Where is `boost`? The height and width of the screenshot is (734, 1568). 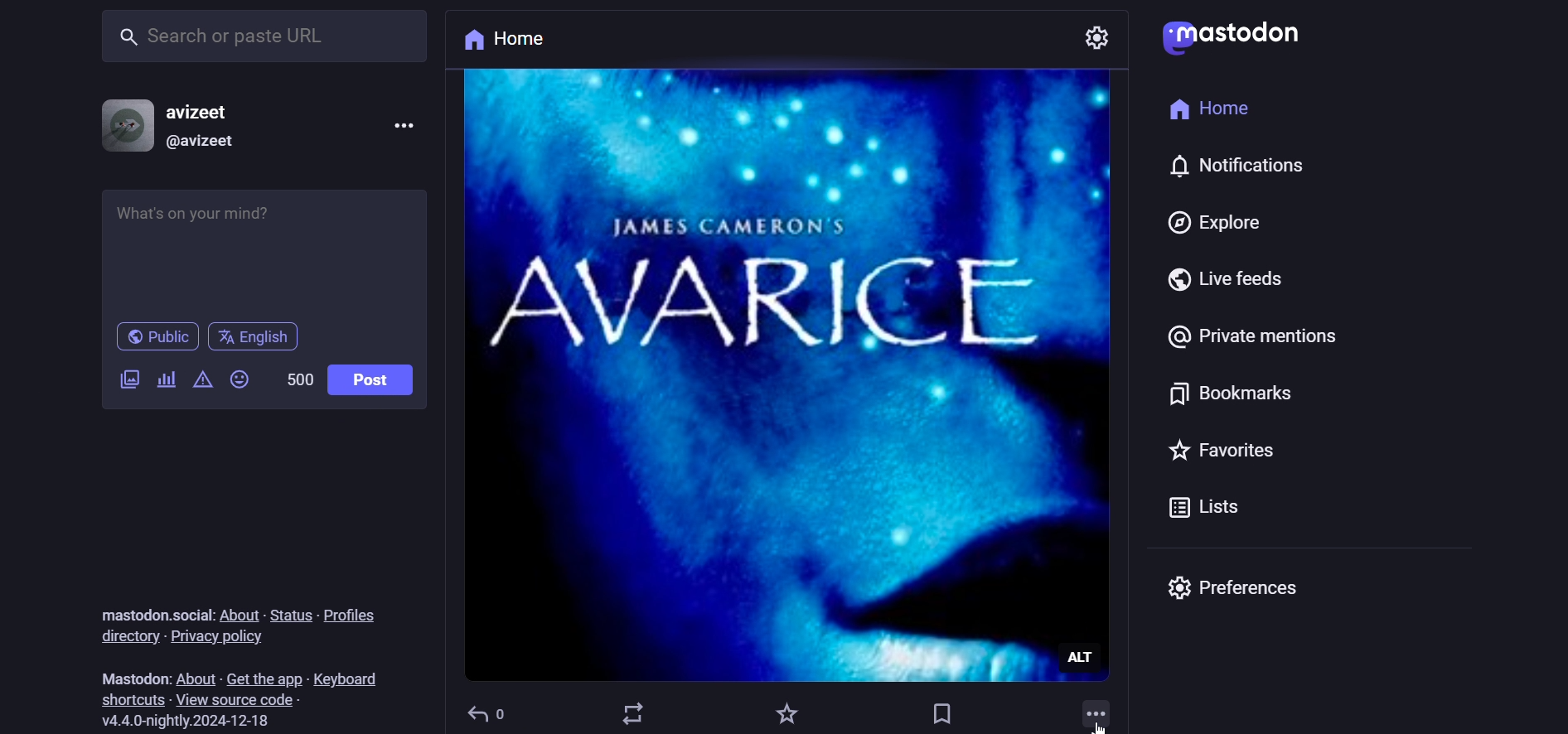 boost is located at coordinates (633, 712).